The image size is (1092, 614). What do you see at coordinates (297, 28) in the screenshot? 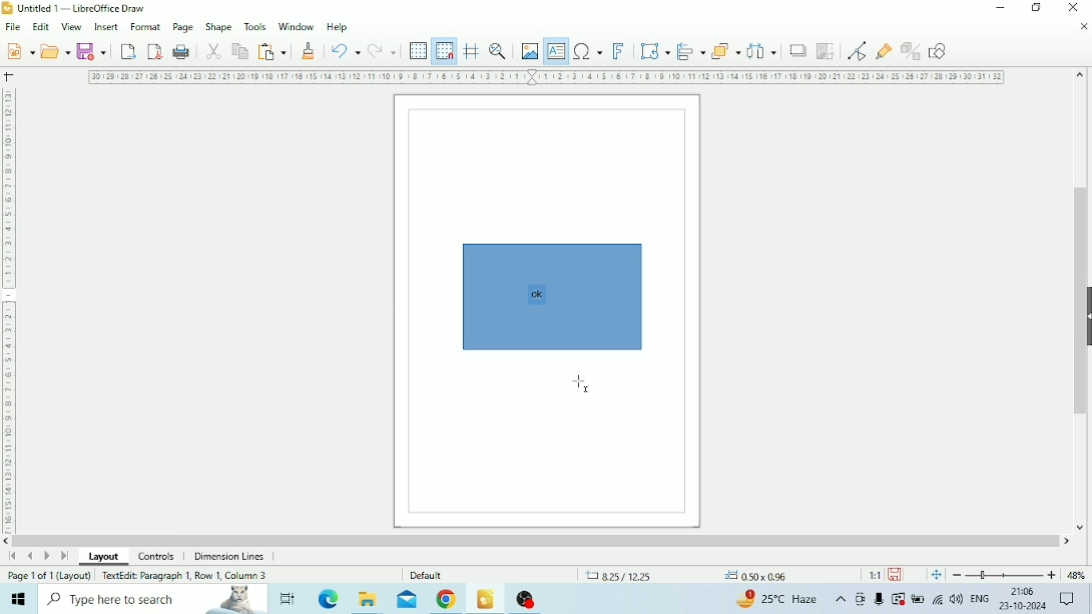
I see `Window` at bounding box center [297, 28].